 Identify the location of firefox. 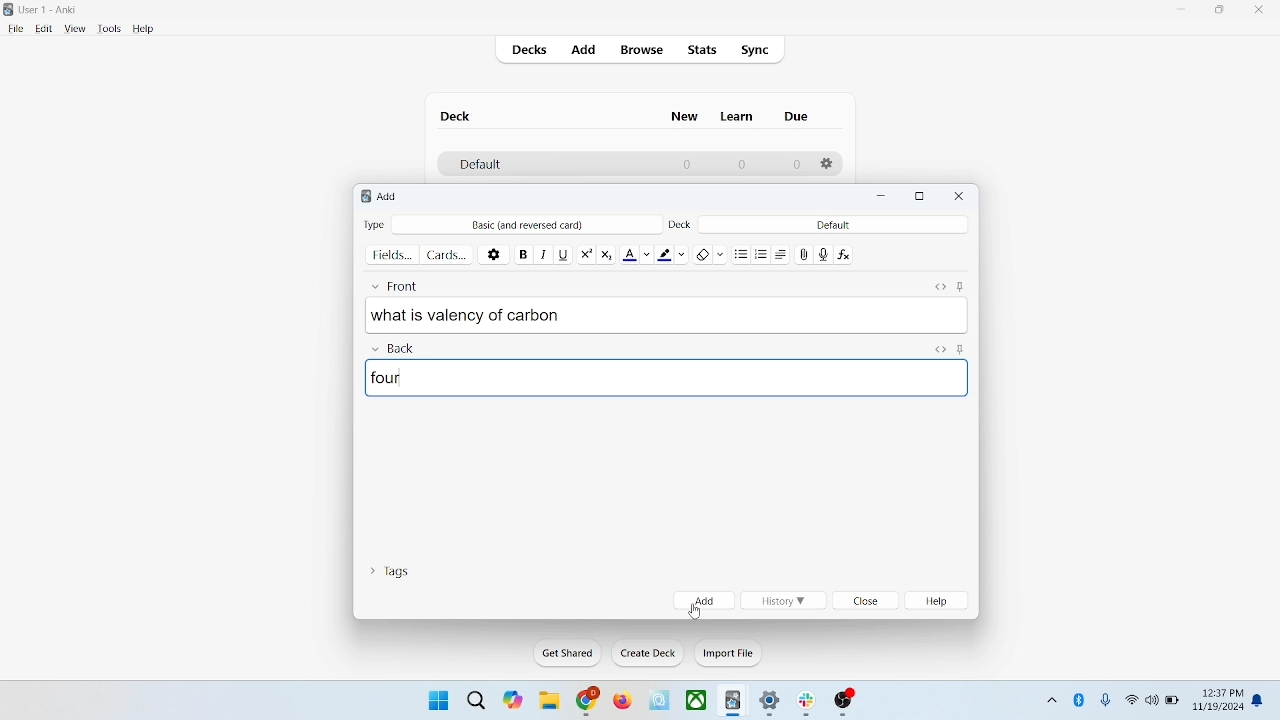
(622, 701).